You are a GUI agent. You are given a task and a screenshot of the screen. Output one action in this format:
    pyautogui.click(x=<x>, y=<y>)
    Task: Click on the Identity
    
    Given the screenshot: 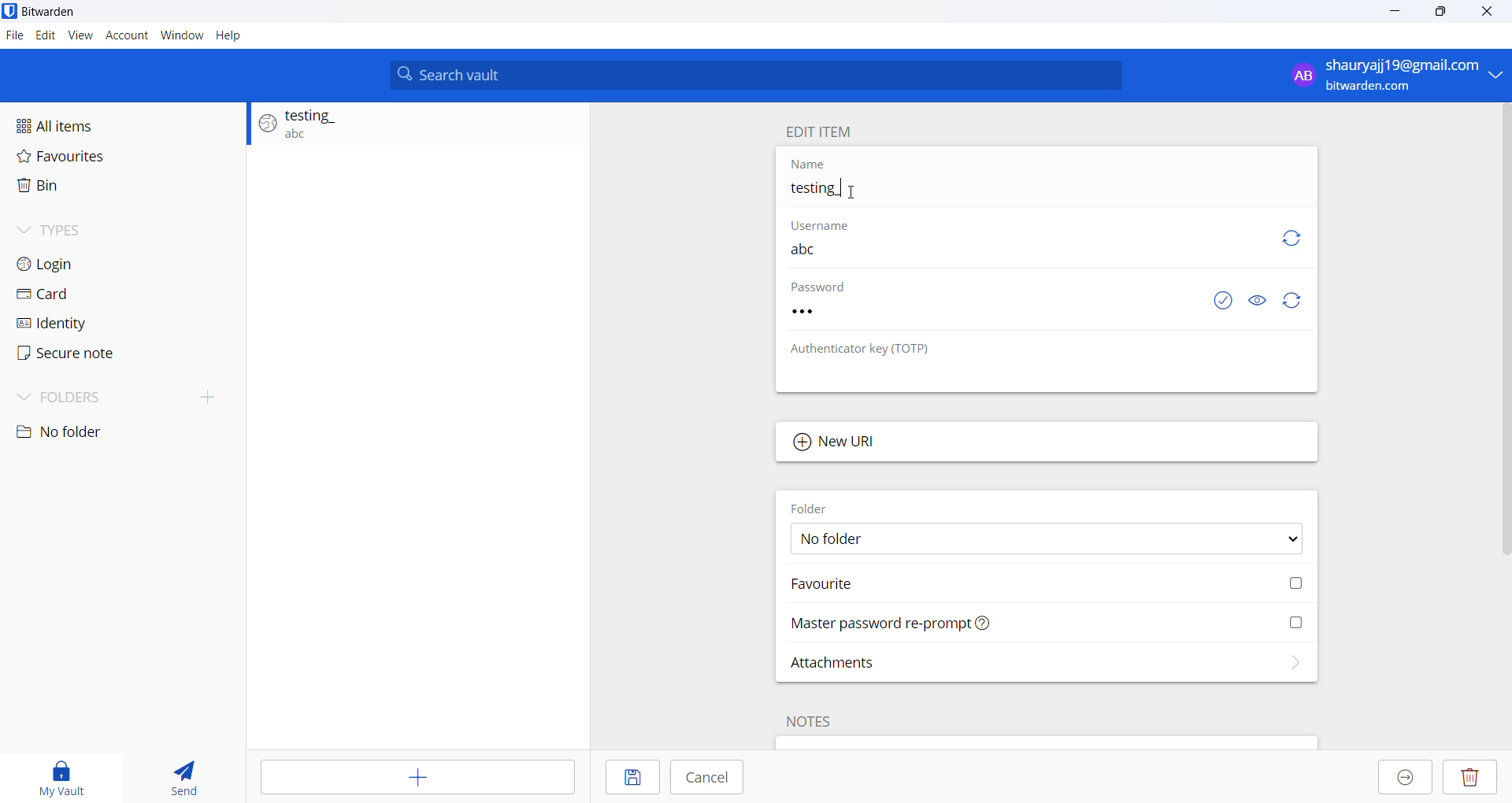 What is the action you would take?
    pyautogui.click(x=98, y=322)
    